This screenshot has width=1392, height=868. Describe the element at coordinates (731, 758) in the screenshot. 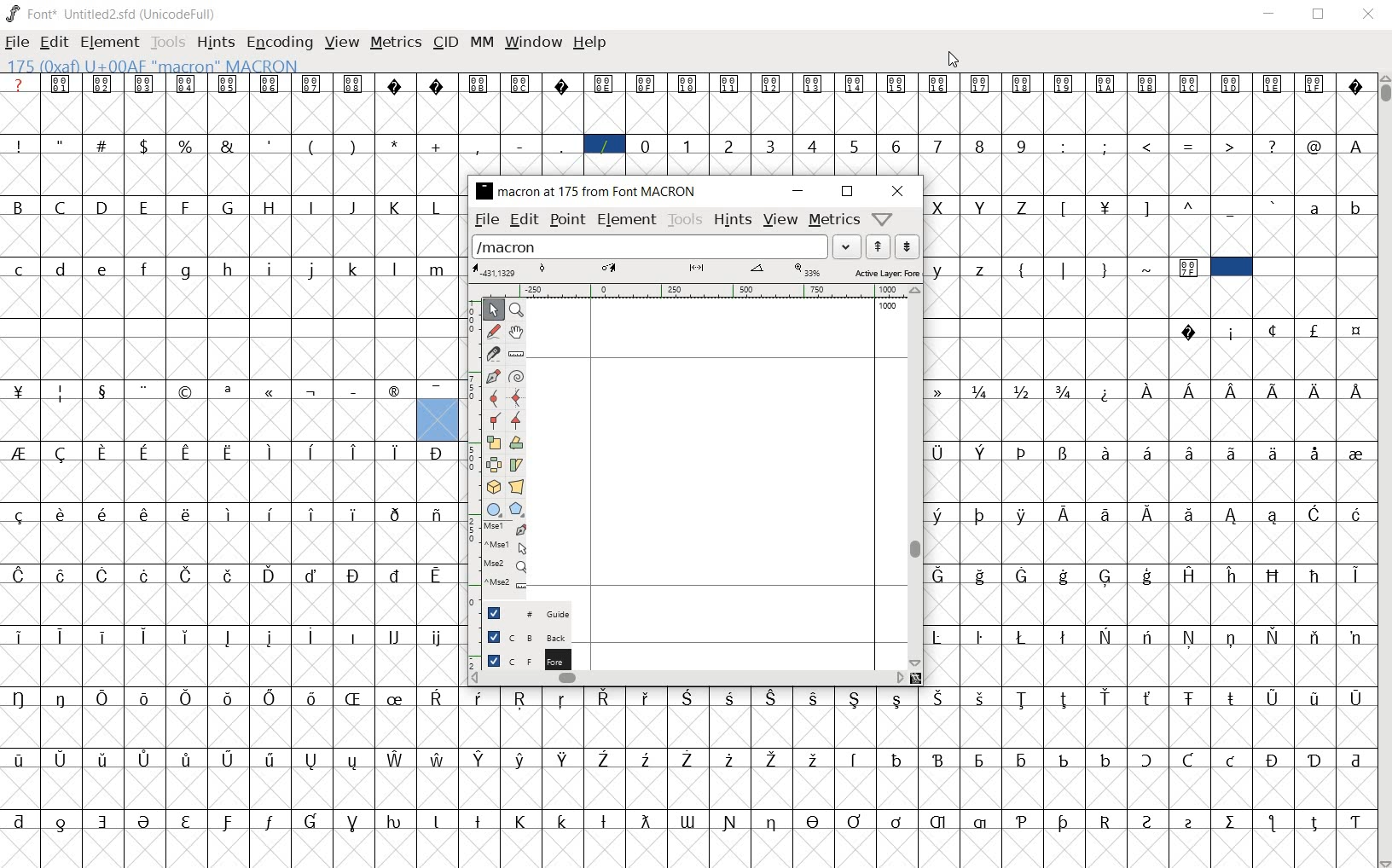

I see `Symbol` at that location.